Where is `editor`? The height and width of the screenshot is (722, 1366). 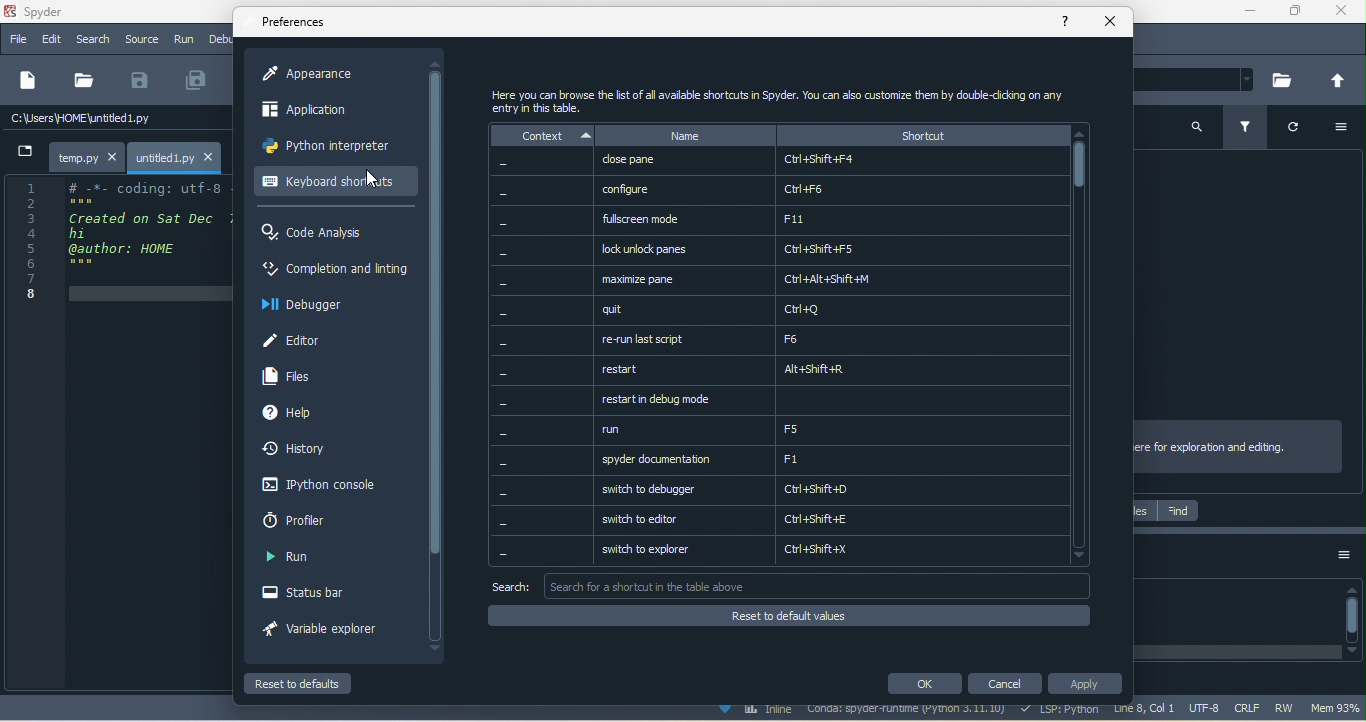
editor is located at coordinates (298, 340).